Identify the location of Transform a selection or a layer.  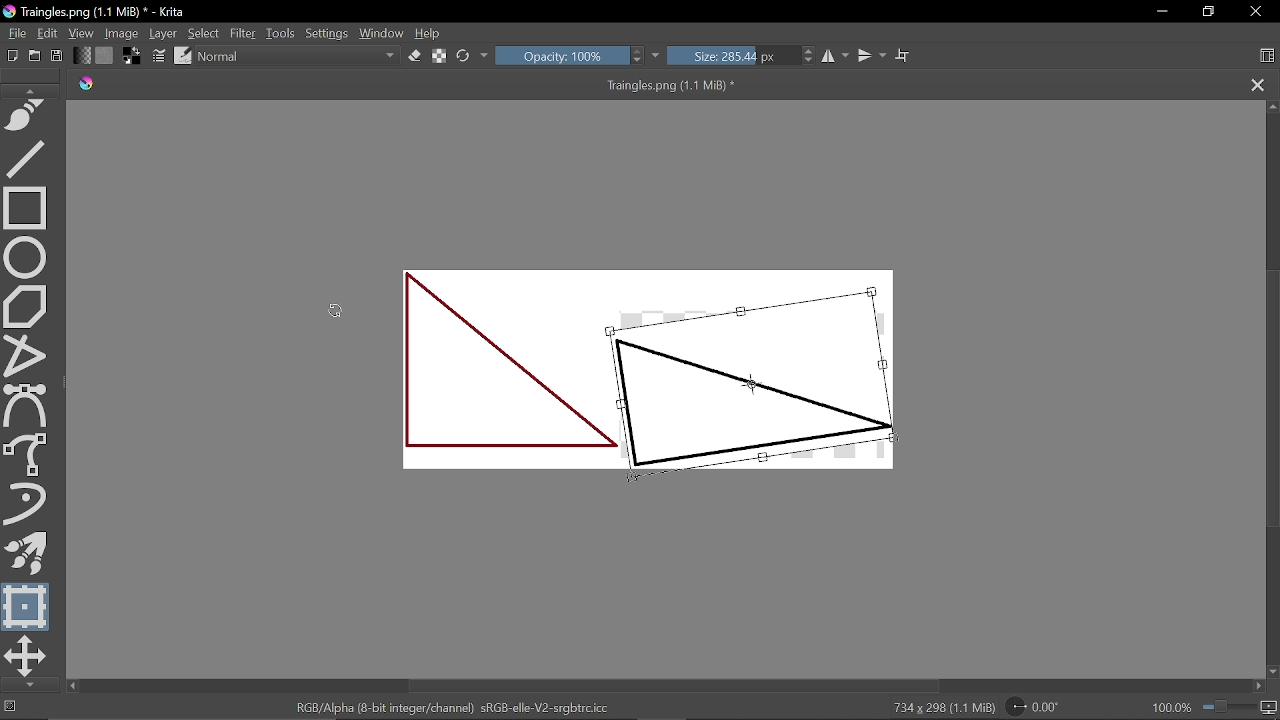
(27, 606).